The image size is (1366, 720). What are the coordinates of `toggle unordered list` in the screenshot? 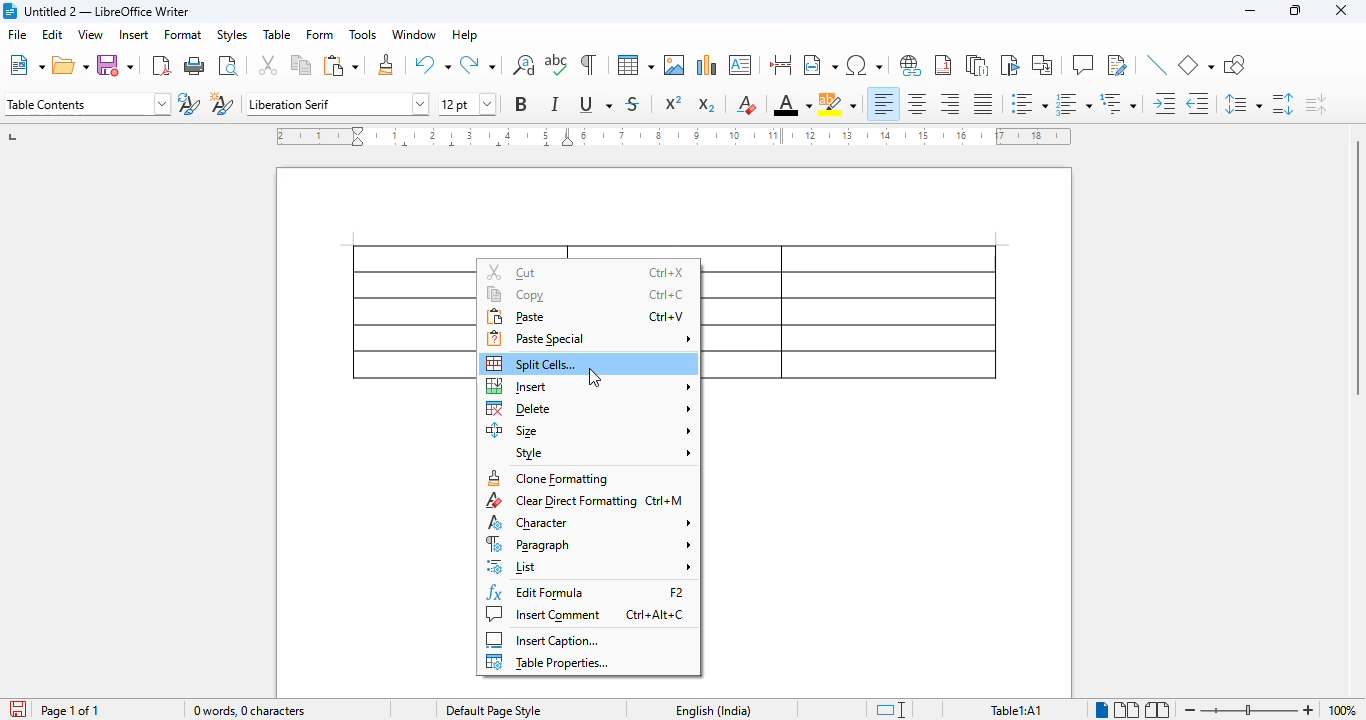 It's located at (1029, 103).